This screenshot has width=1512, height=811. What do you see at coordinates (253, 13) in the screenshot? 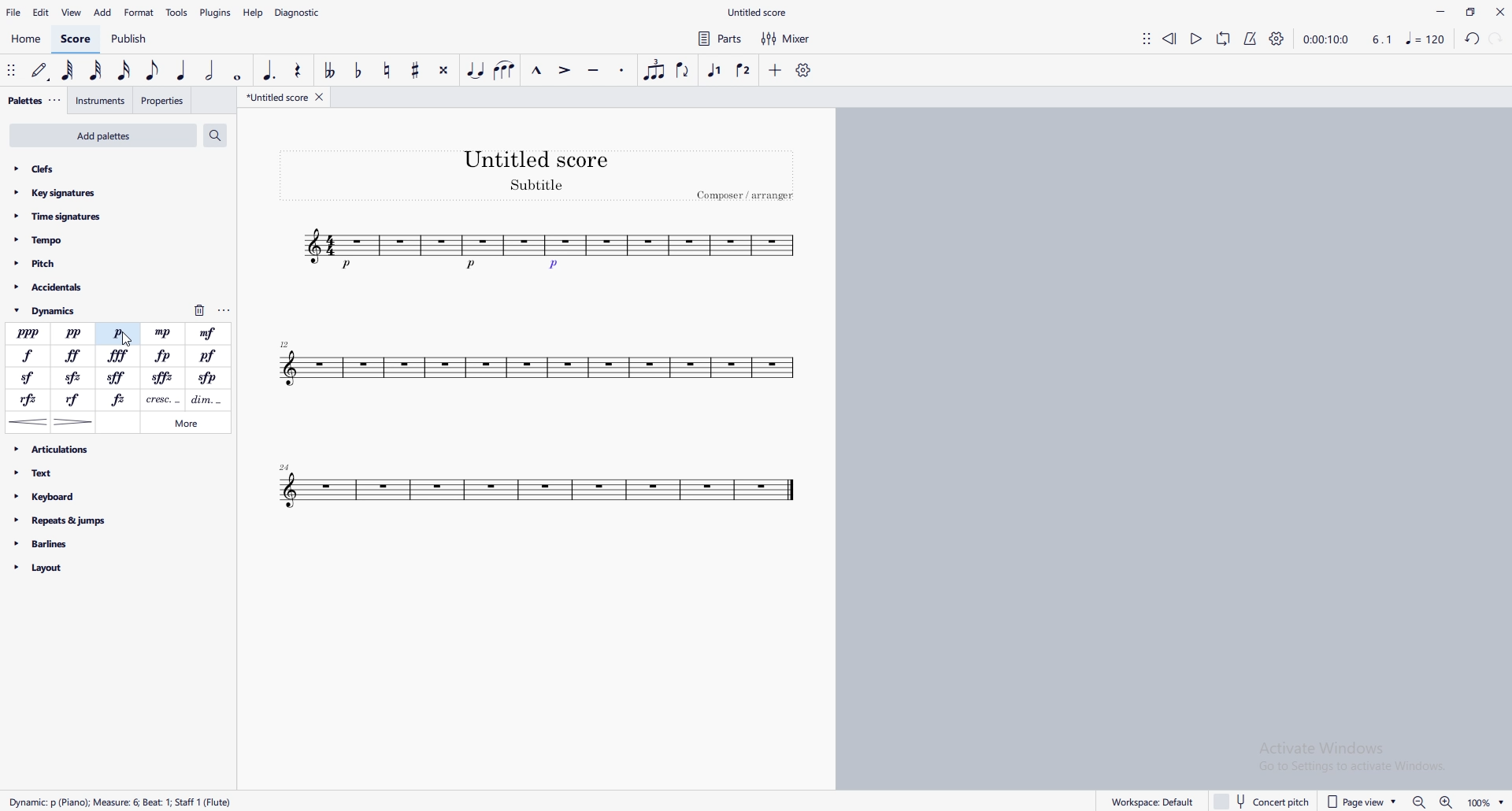
I see `help` at bounding box center [253, 13].